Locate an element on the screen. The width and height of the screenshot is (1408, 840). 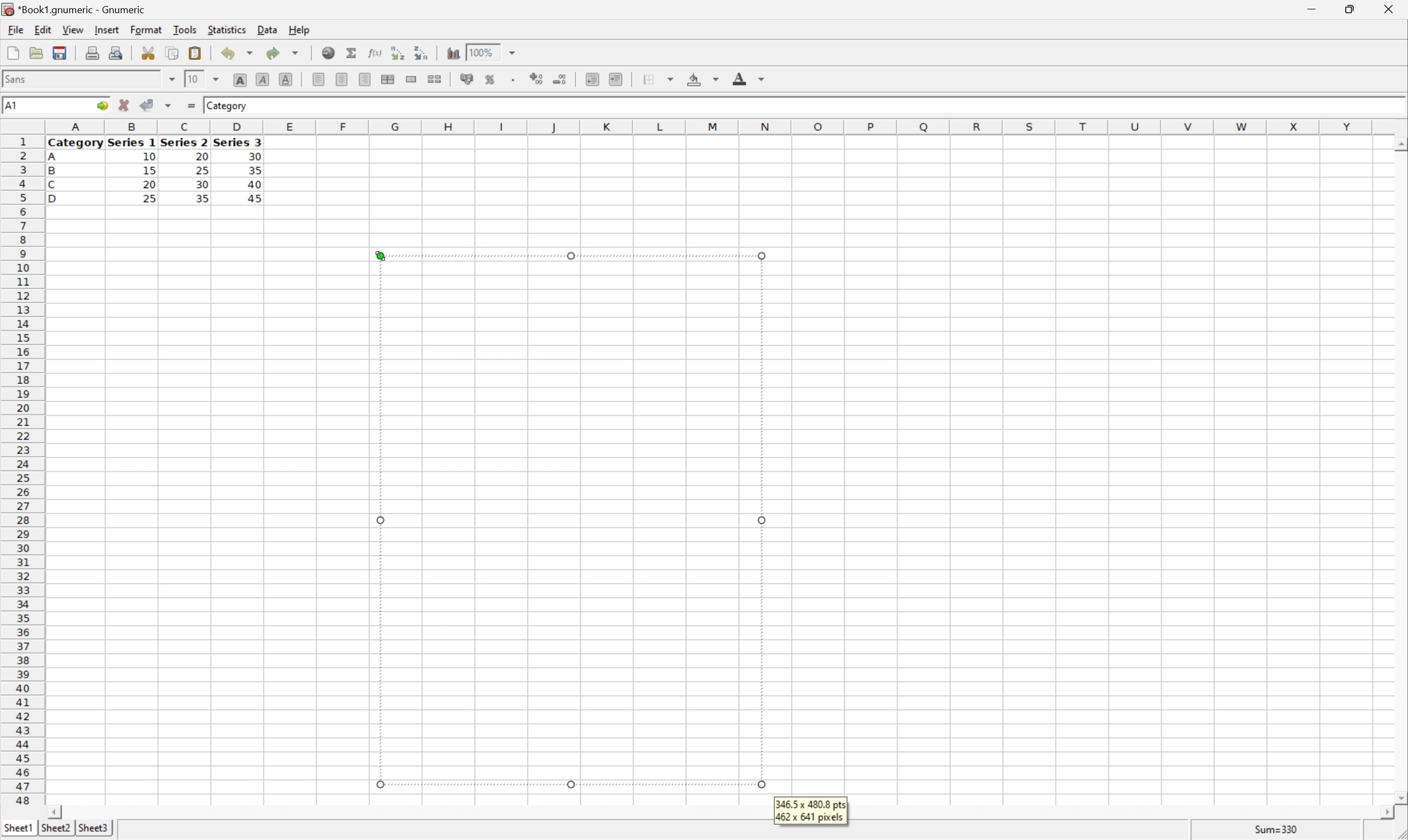
10 is located at coordinates (149, 157).